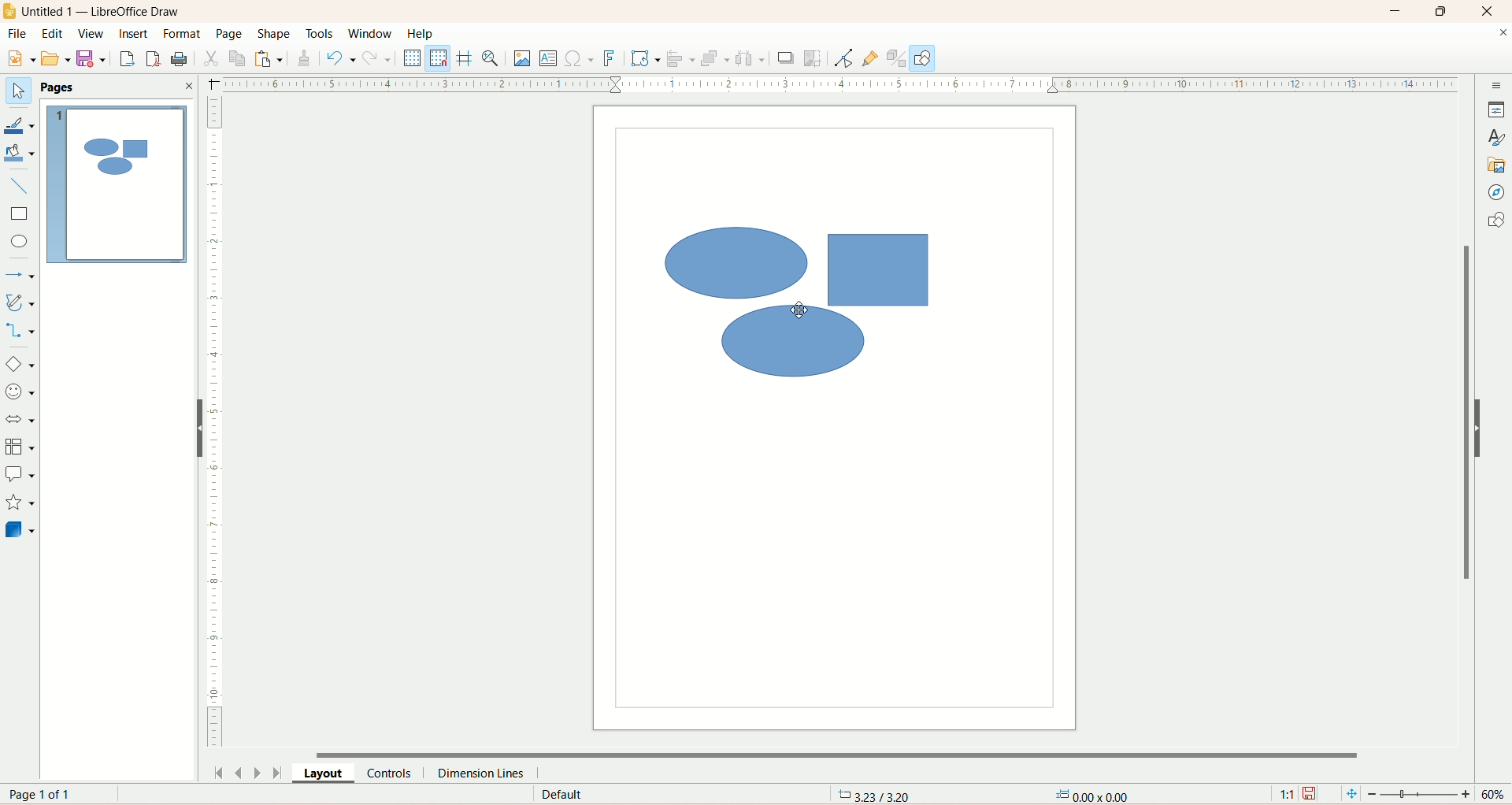 This screenshot has height=805, width=1512. What do you see at coordinates (797, 309) in the screenshot?
I see `cursor` at bounding box center [797, 309].